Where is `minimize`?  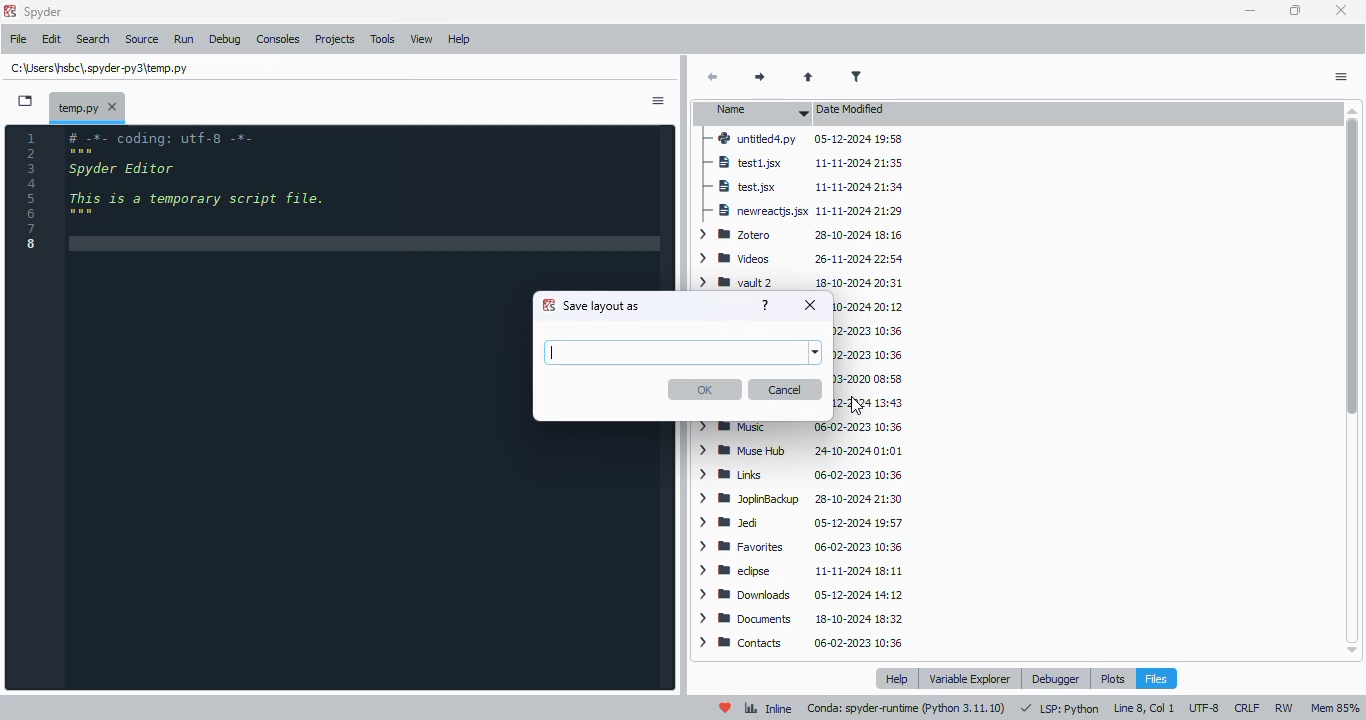 minimize is located at coordinates (1249, 11).